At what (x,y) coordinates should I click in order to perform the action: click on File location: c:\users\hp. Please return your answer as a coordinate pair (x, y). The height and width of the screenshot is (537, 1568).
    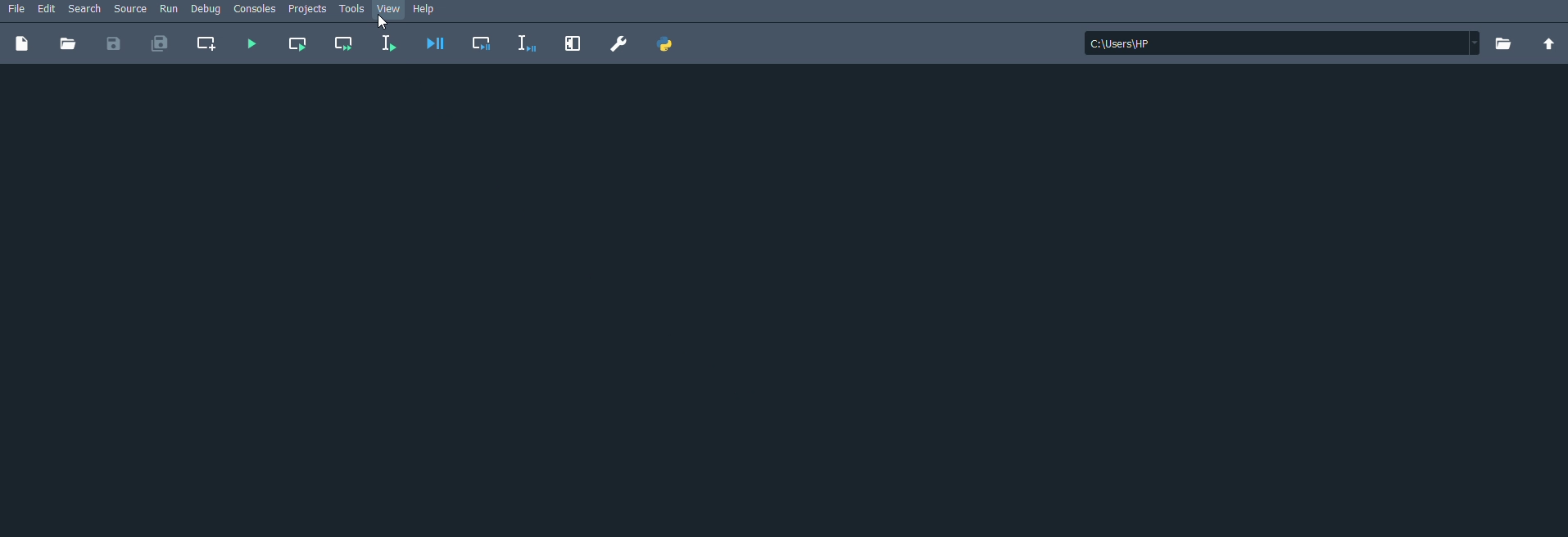
    Looking at the image, I should click on (1284, 43).